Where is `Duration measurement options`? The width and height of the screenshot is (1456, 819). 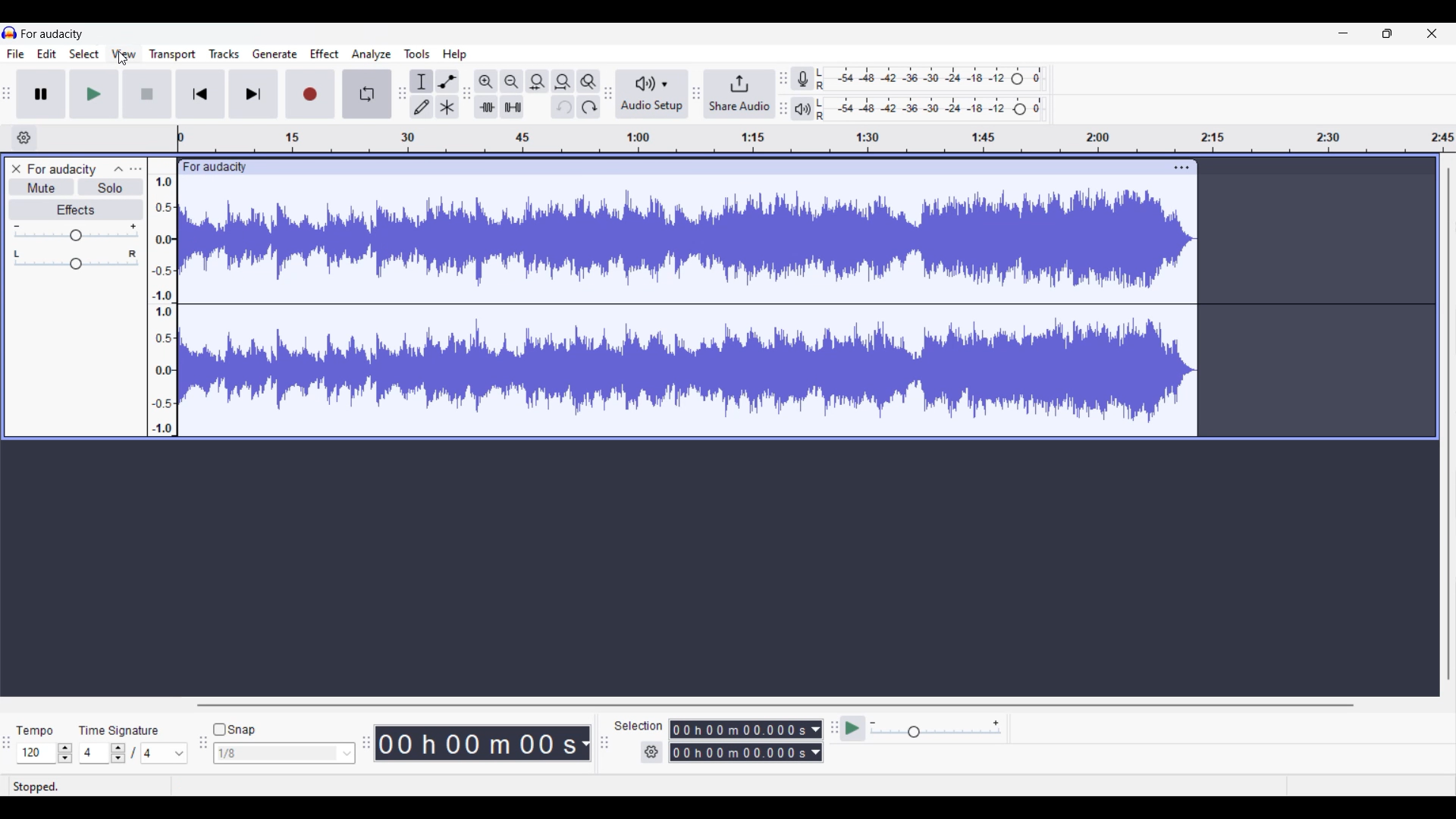 Duration measurement options is located at coordinates (817, 740).